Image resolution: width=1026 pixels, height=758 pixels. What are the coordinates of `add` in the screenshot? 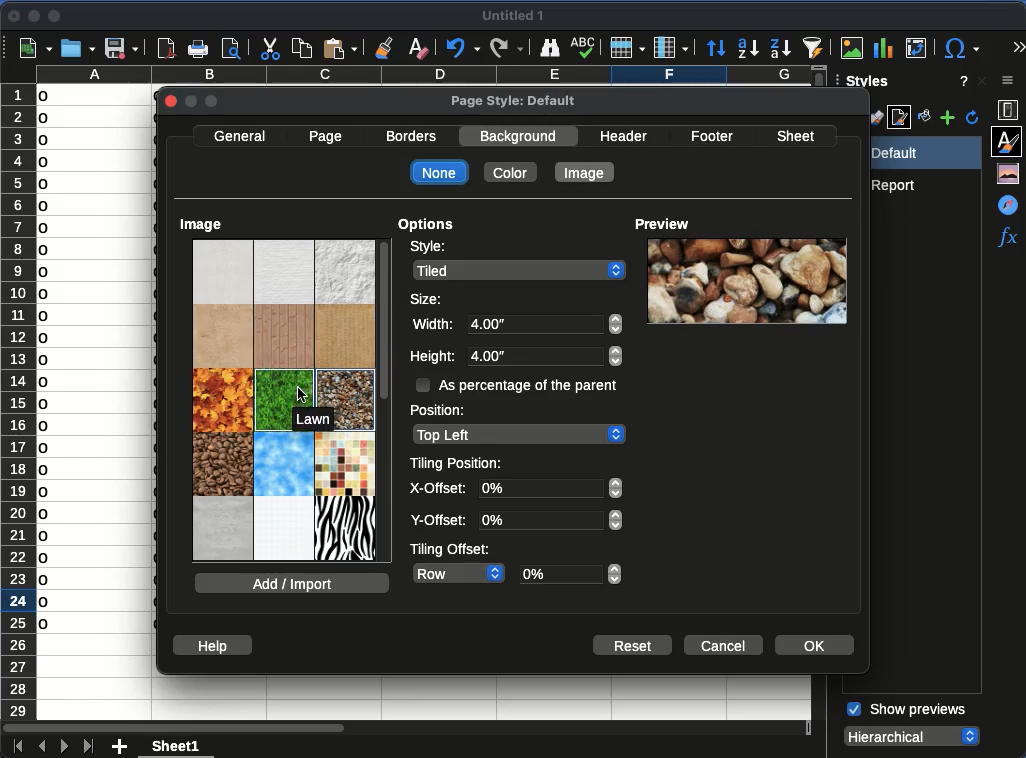 It's located at (121, 747).